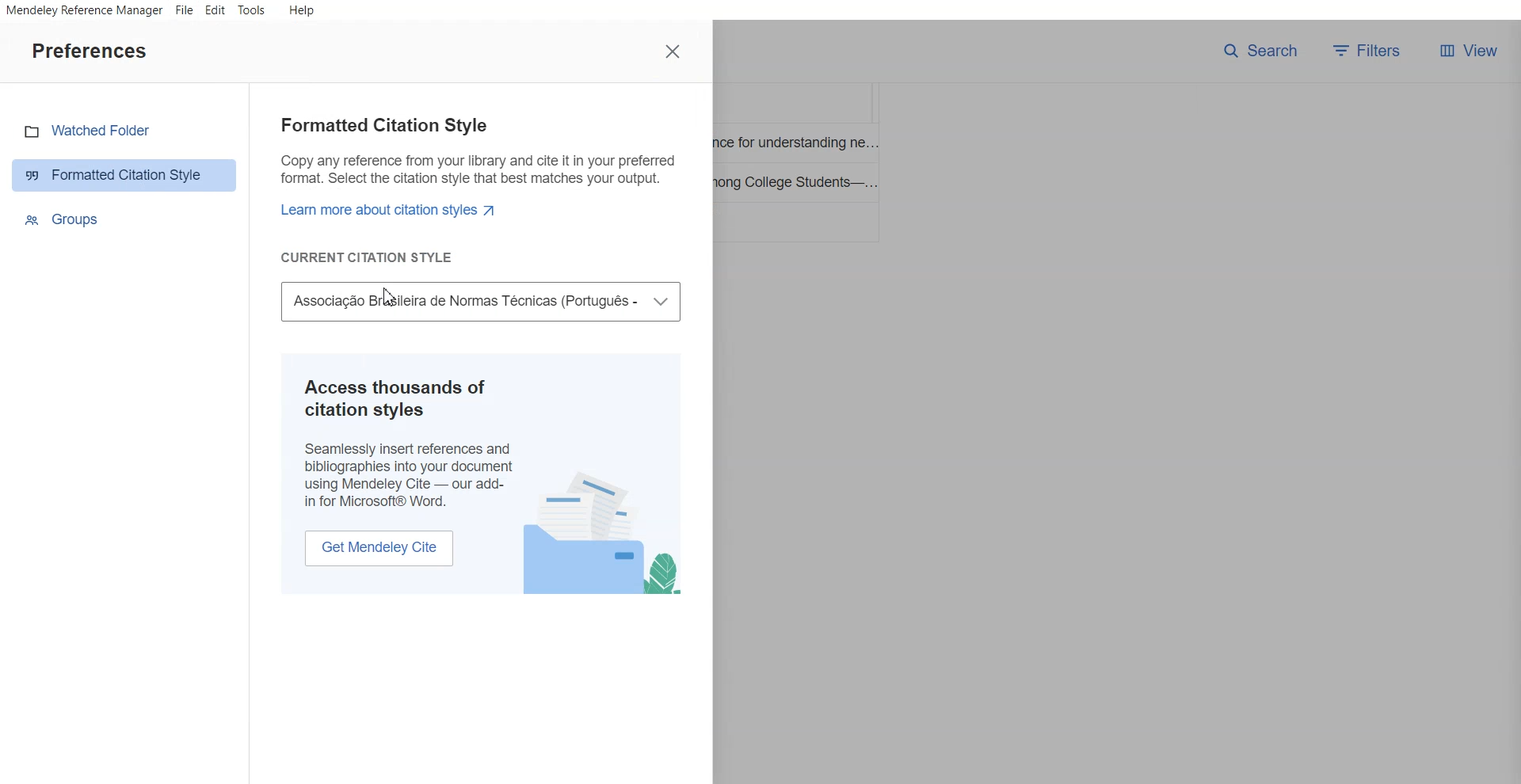  What do you see at coordinates (1468, 51) in the screenshot?
I see `Veiw` at bounding box center [1468, 51].